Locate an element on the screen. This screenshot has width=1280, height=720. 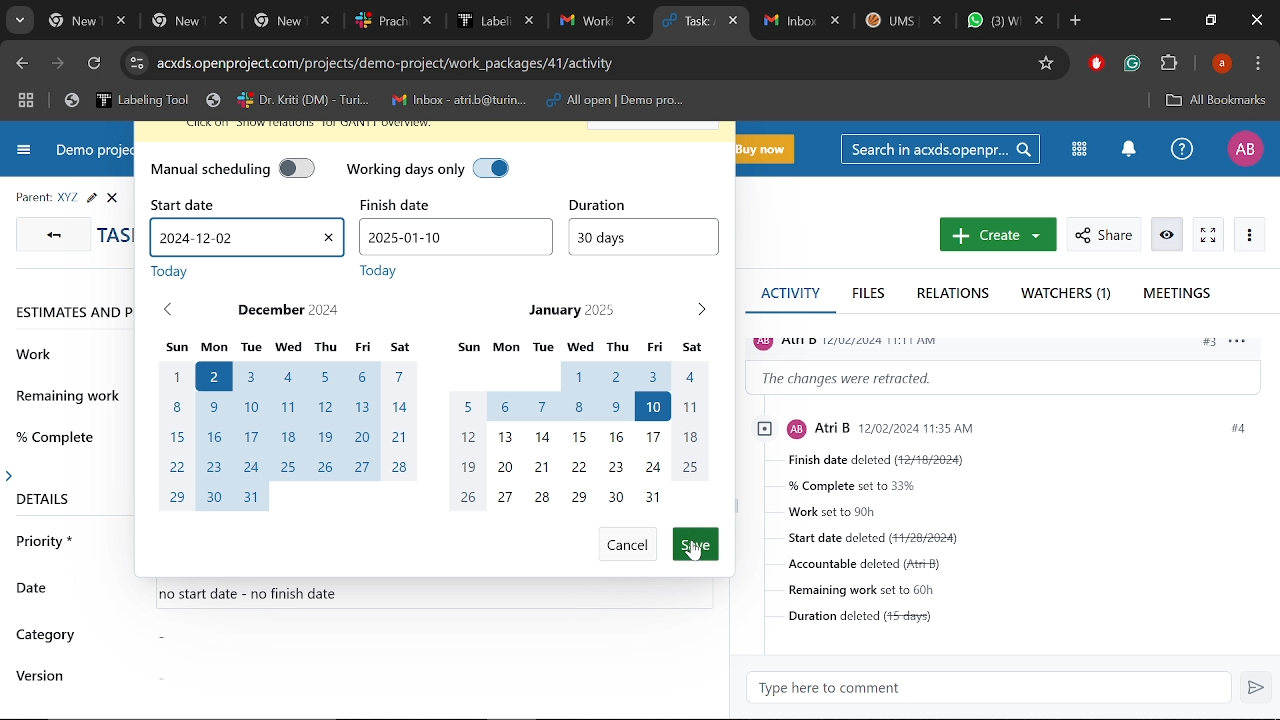
Current tab is located at coordinates (690, 22).